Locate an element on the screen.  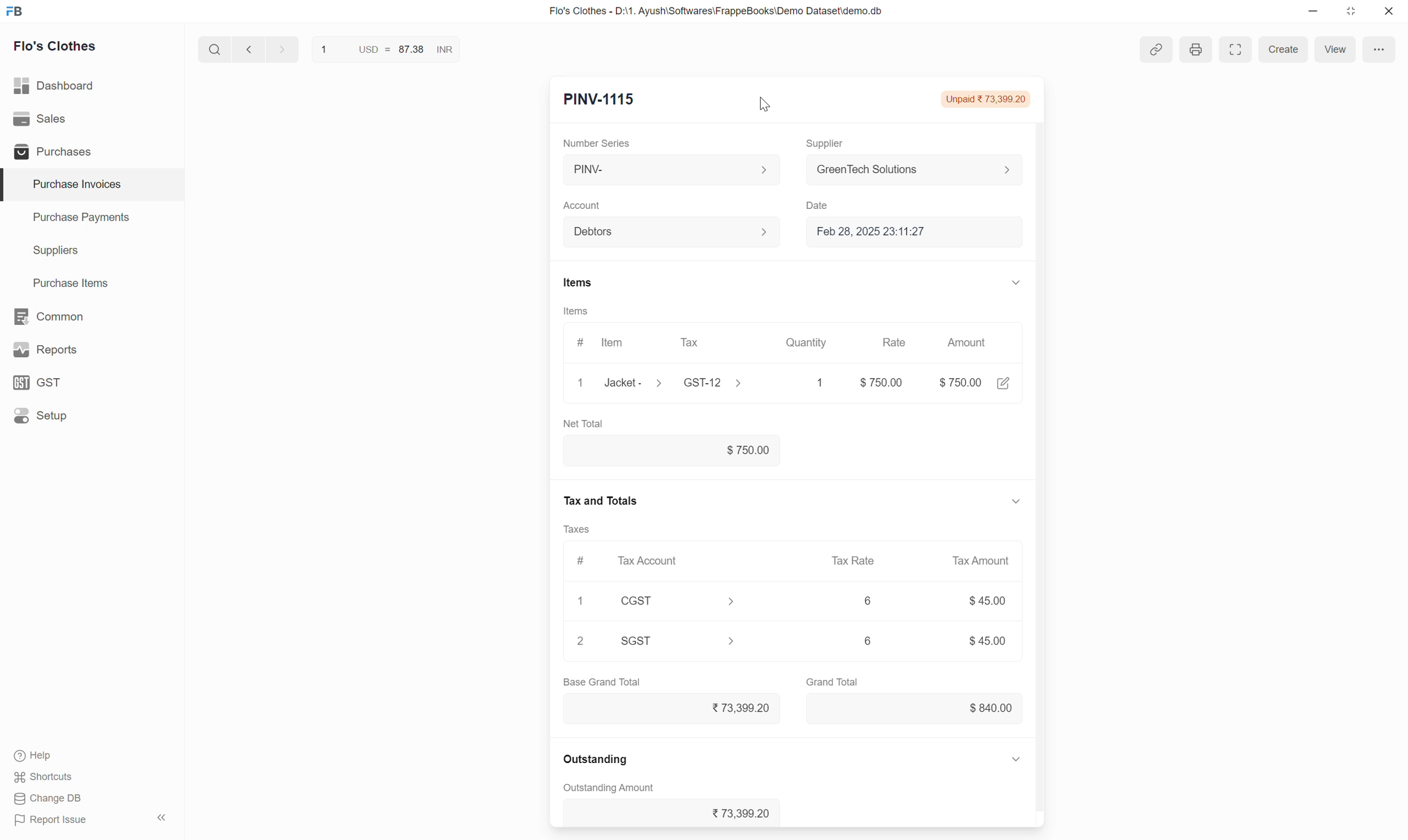
CGST is located at coordinates (638, 600).